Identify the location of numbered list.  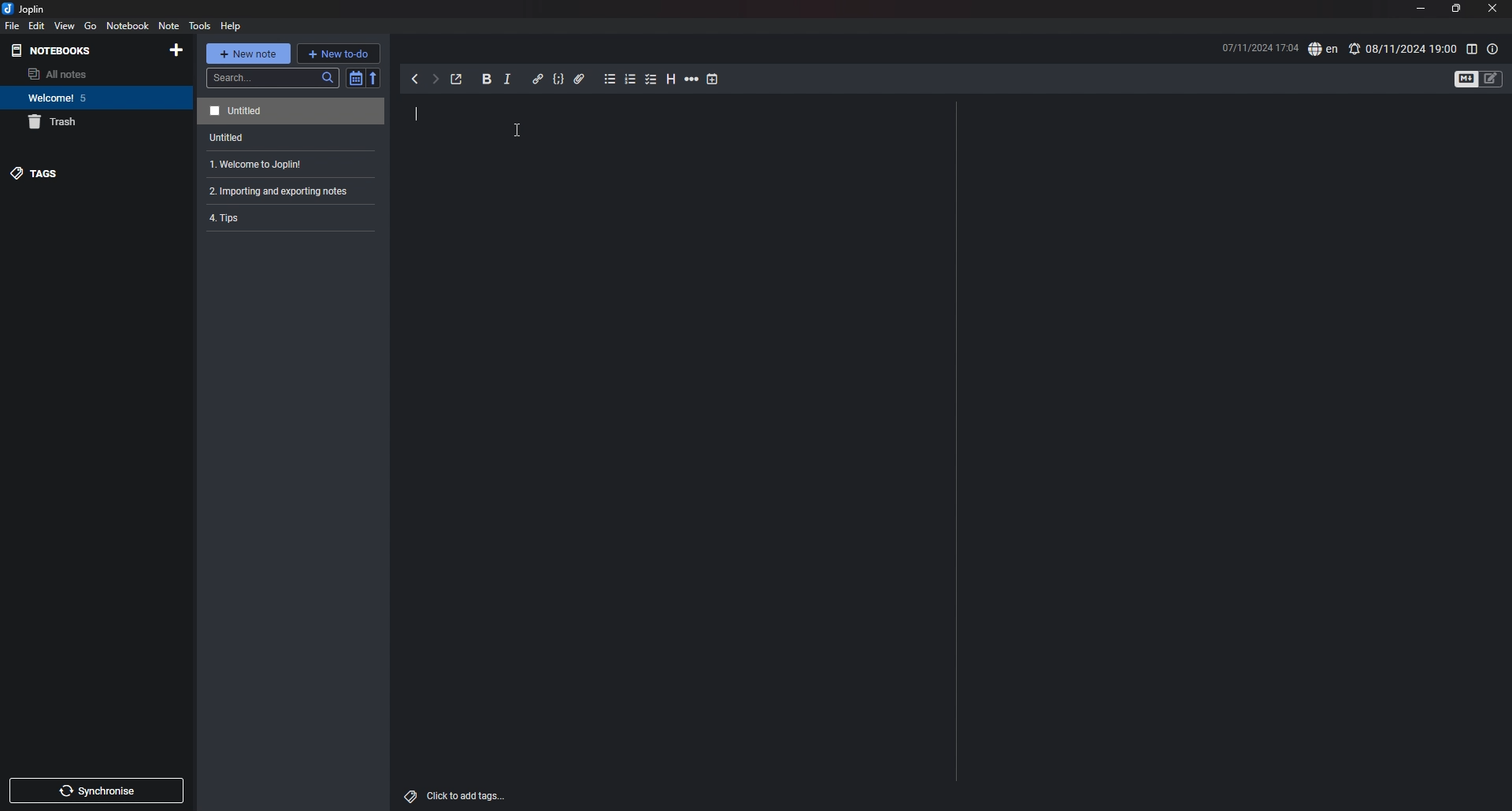
(631, 80).